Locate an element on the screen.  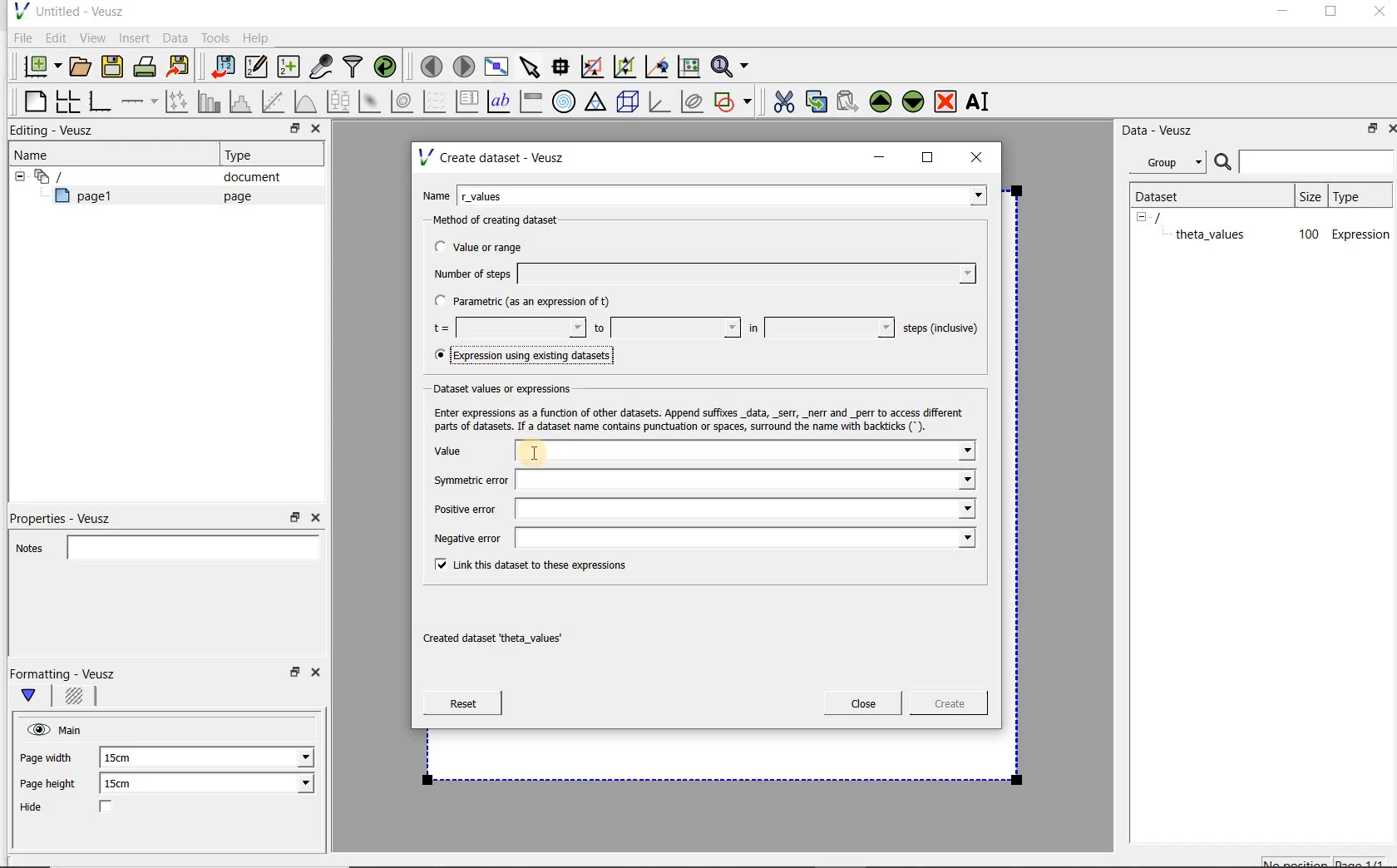
Hide is located at coordinates (82, 808).